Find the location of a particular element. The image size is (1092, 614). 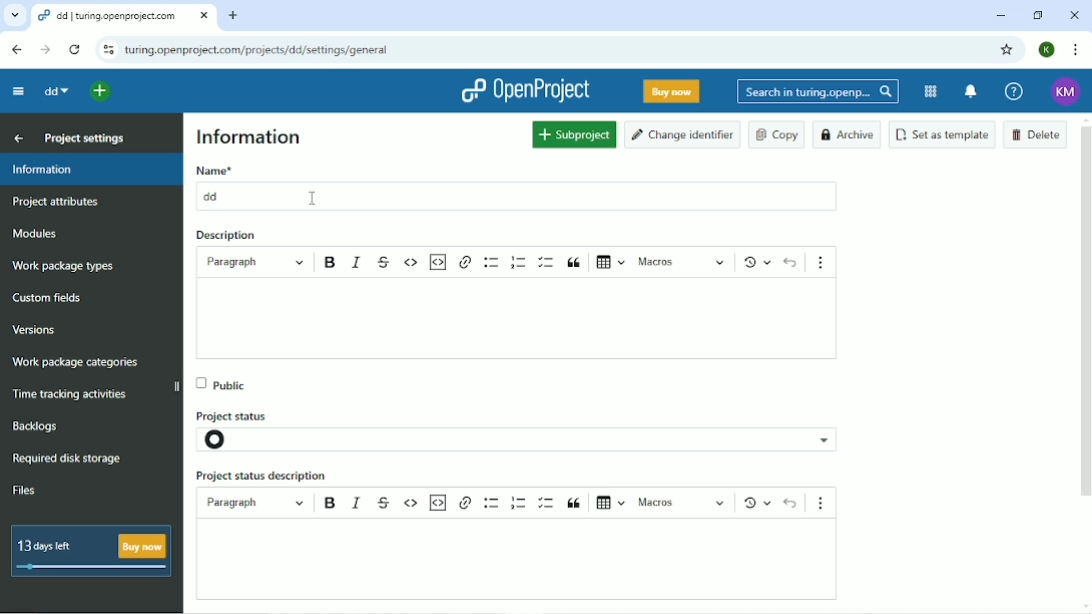

Set as template is located at coordinates (943, 134).